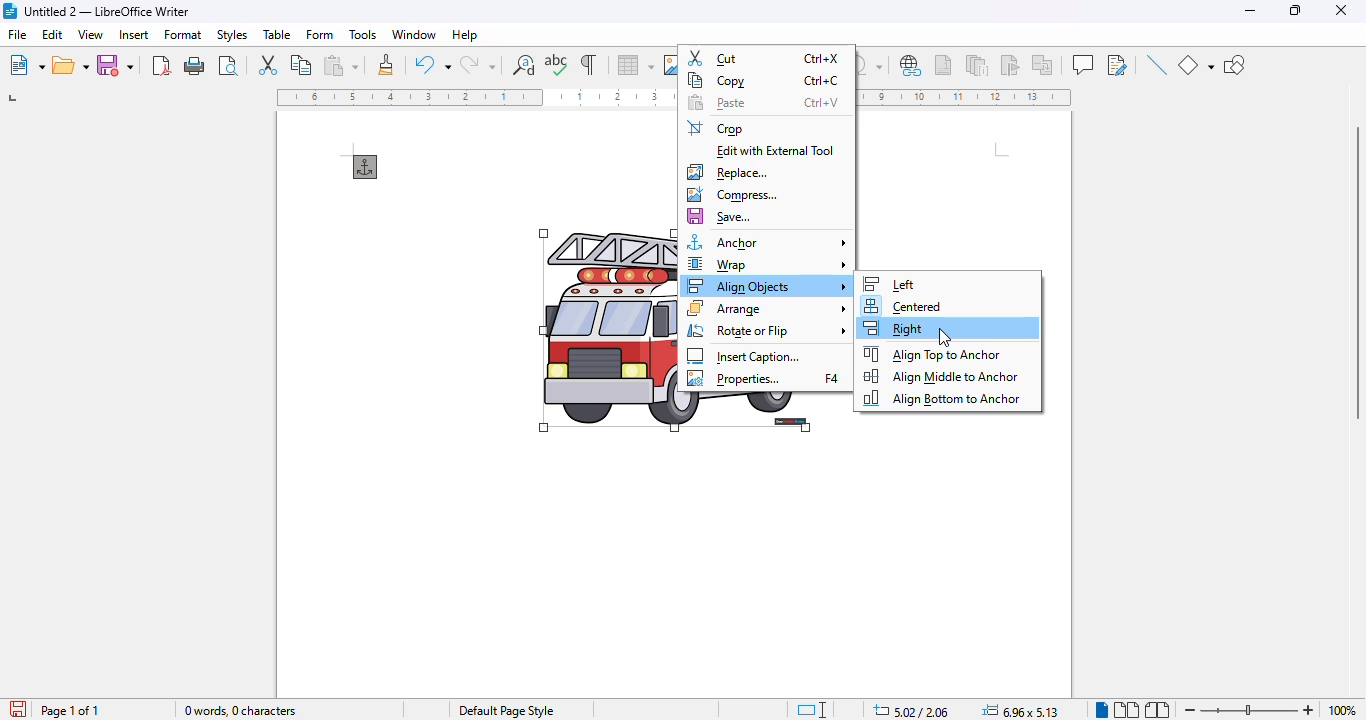 The height and width of the screenshot is (720, 1366). Describe the element at coordinates (135, 34) in the screenshot. I see `insert` at that location.